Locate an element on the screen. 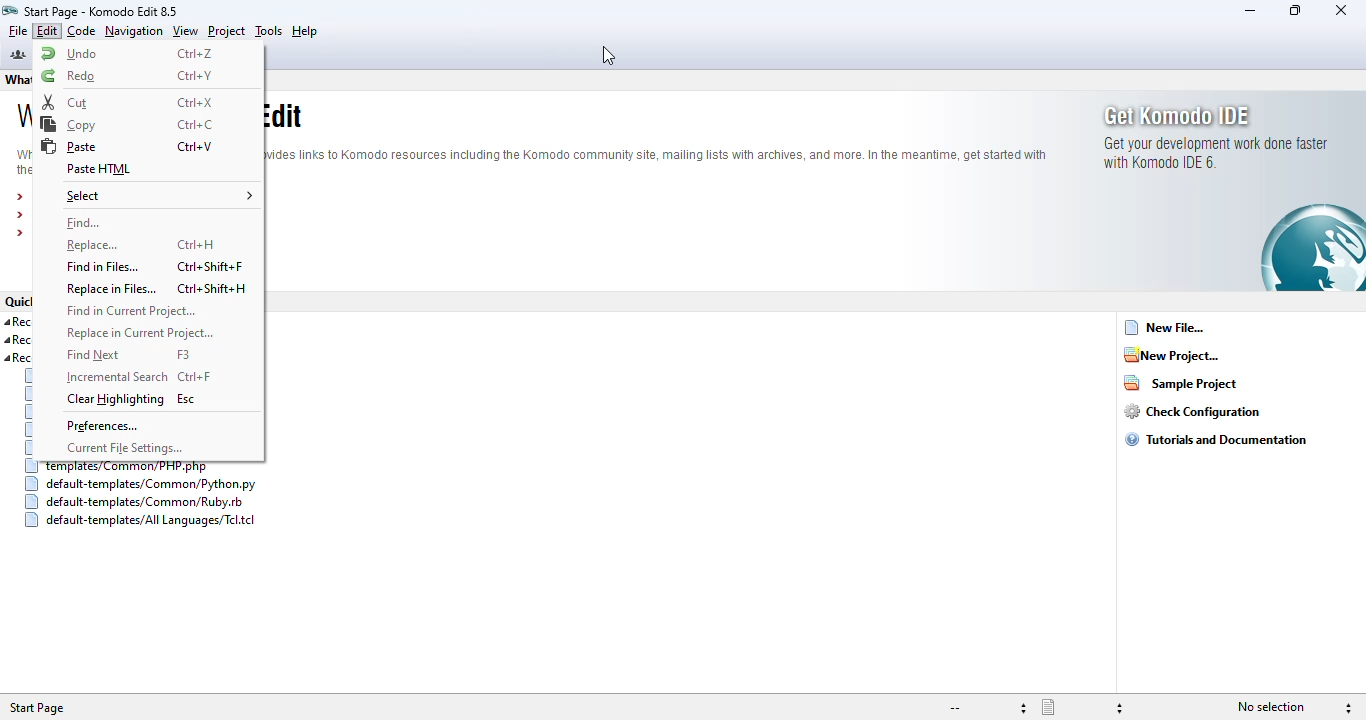 This screenshot has height=720, width=1366. clear highlighting is located at coordinates (116, 399).